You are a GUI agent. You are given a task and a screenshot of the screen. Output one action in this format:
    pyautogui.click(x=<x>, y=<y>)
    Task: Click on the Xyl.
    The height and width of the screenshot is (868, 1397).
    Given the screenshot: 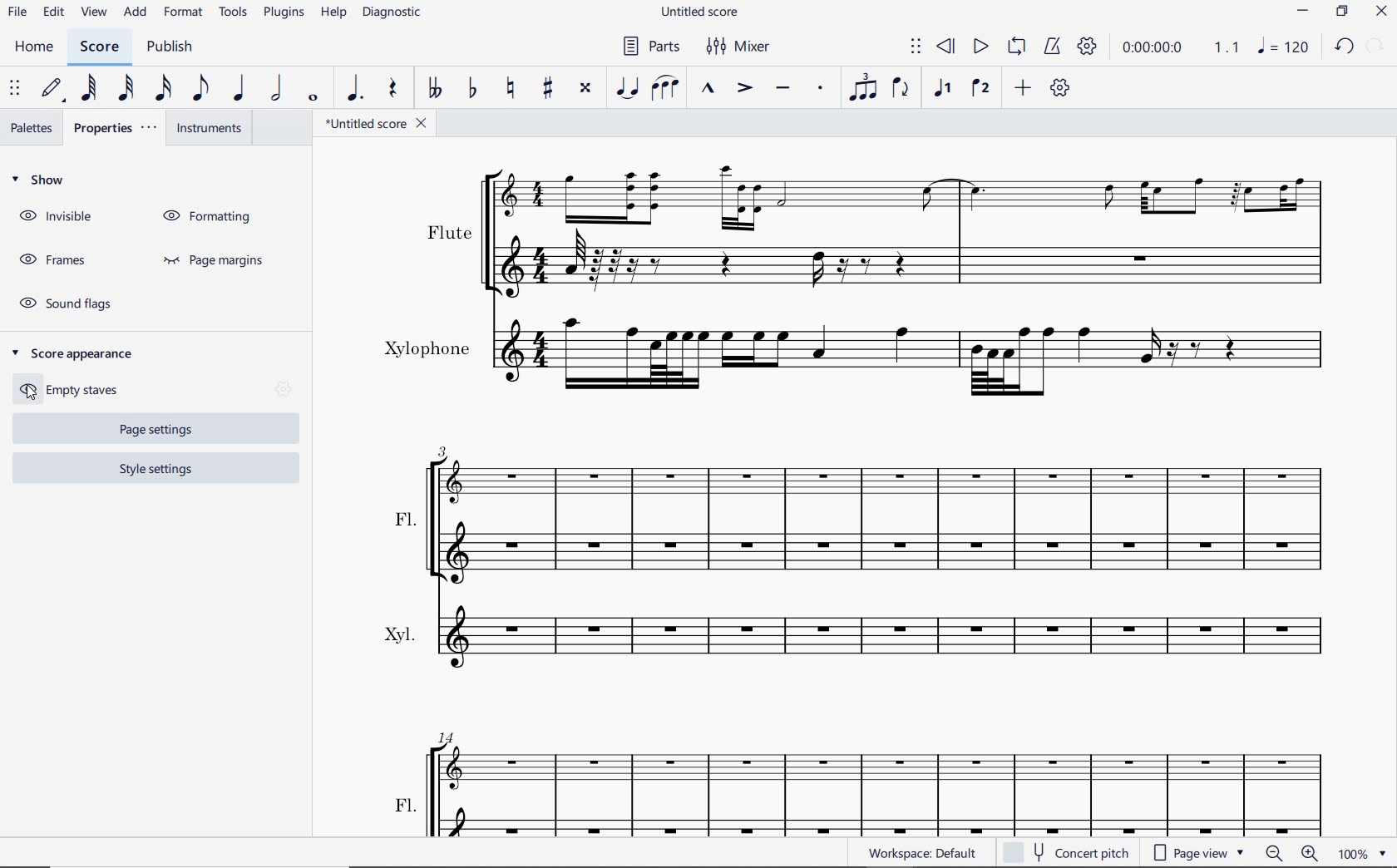 What is the action you would take?
    pyautogui.click(x=862, y=639)
    